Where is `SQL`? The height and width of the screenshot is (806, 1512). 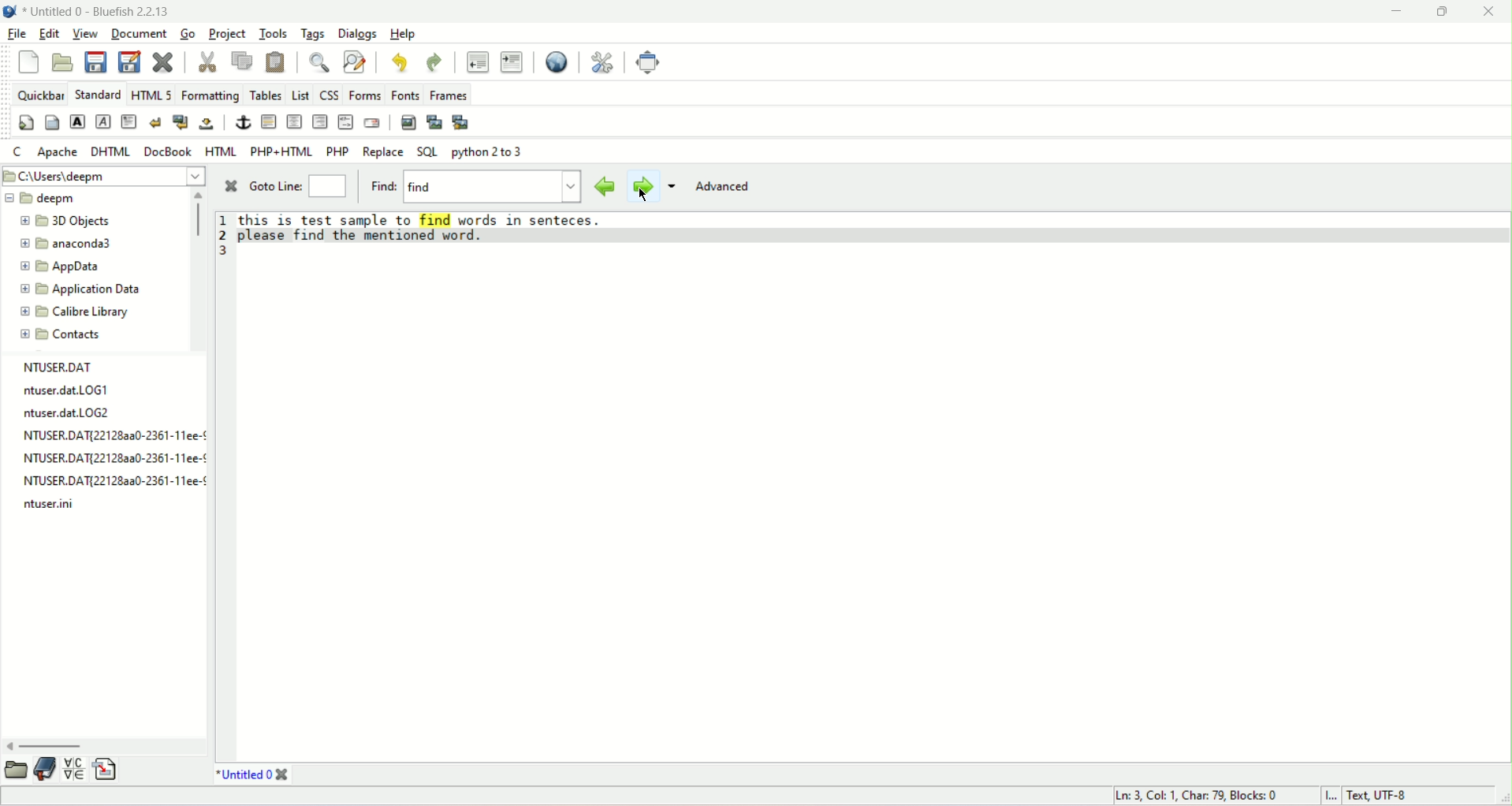 SQL is located at coordinates (426, 152).